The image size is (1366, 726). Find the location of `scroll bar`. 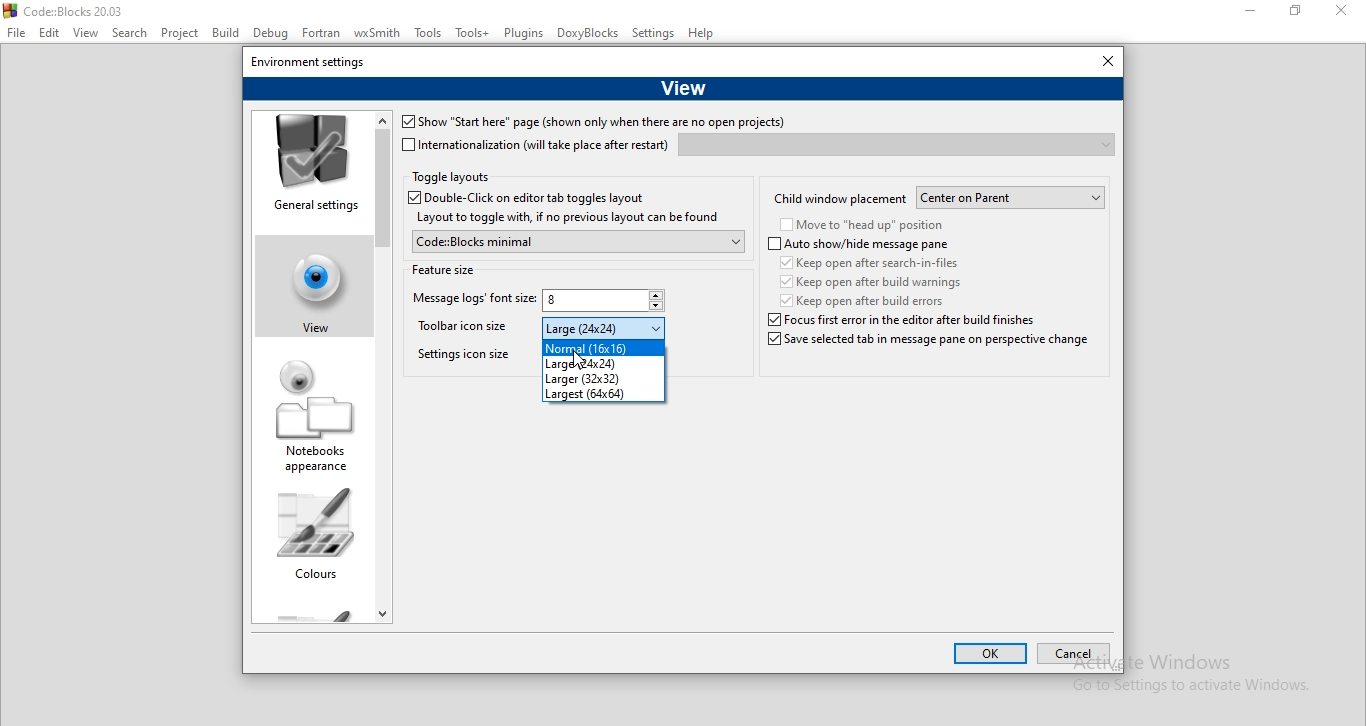

scroll bar is located at coordinates (383, 364).